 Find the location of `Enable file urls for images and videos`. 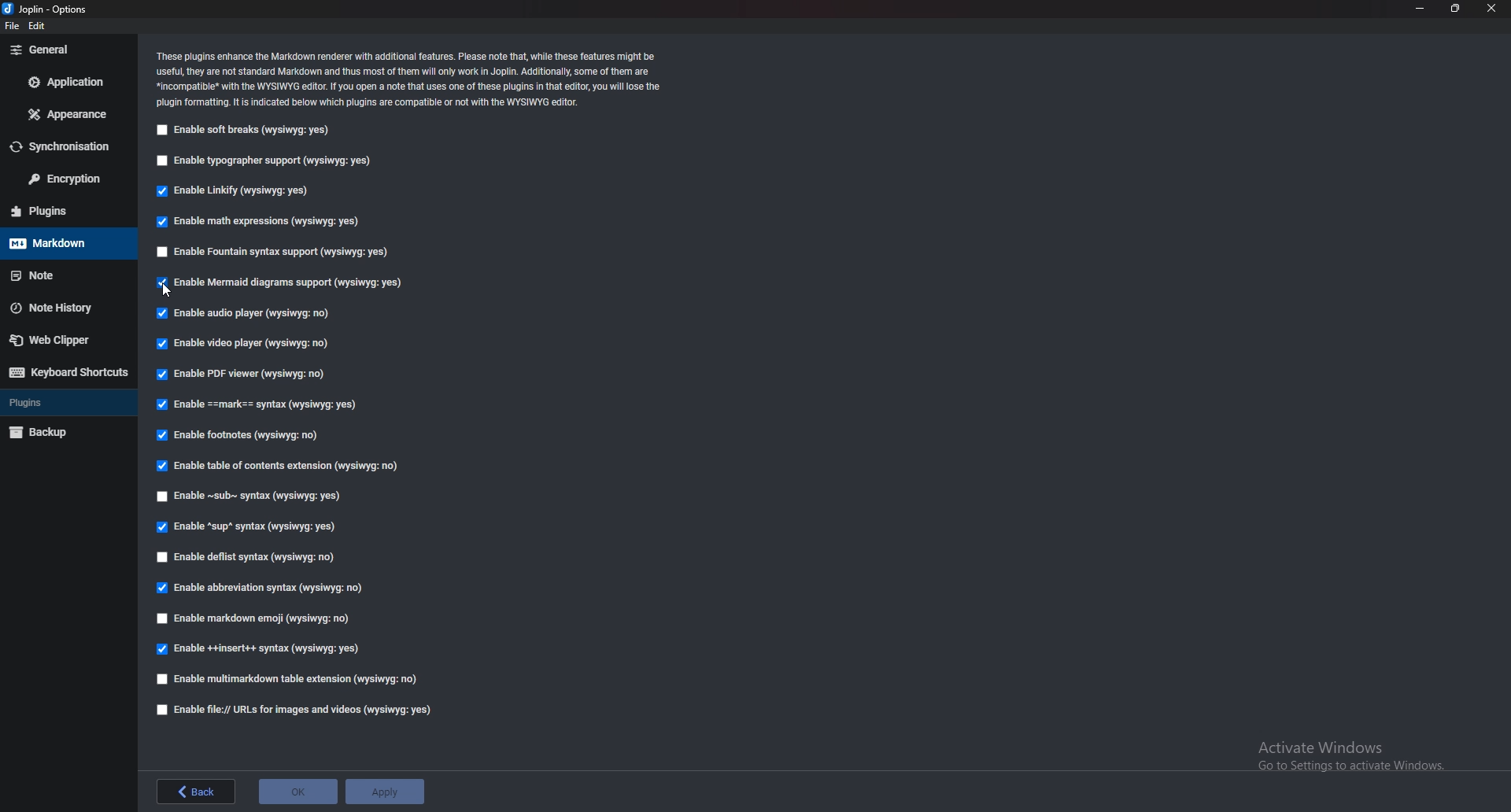

Enable file urls for images and videos is located at coordinates (292, 710).